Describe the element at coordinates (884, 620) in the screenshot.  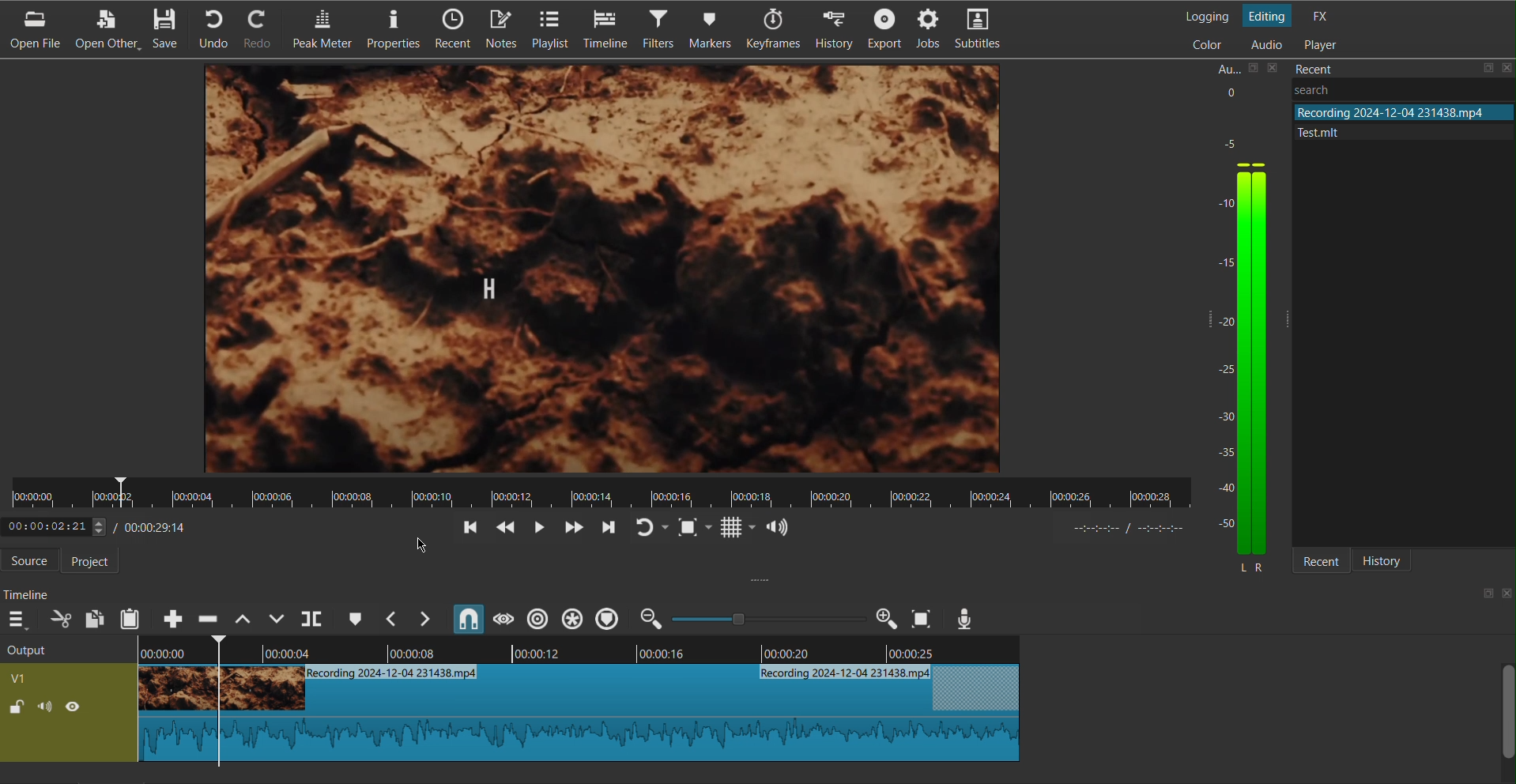
I see `Zoom` at that location.